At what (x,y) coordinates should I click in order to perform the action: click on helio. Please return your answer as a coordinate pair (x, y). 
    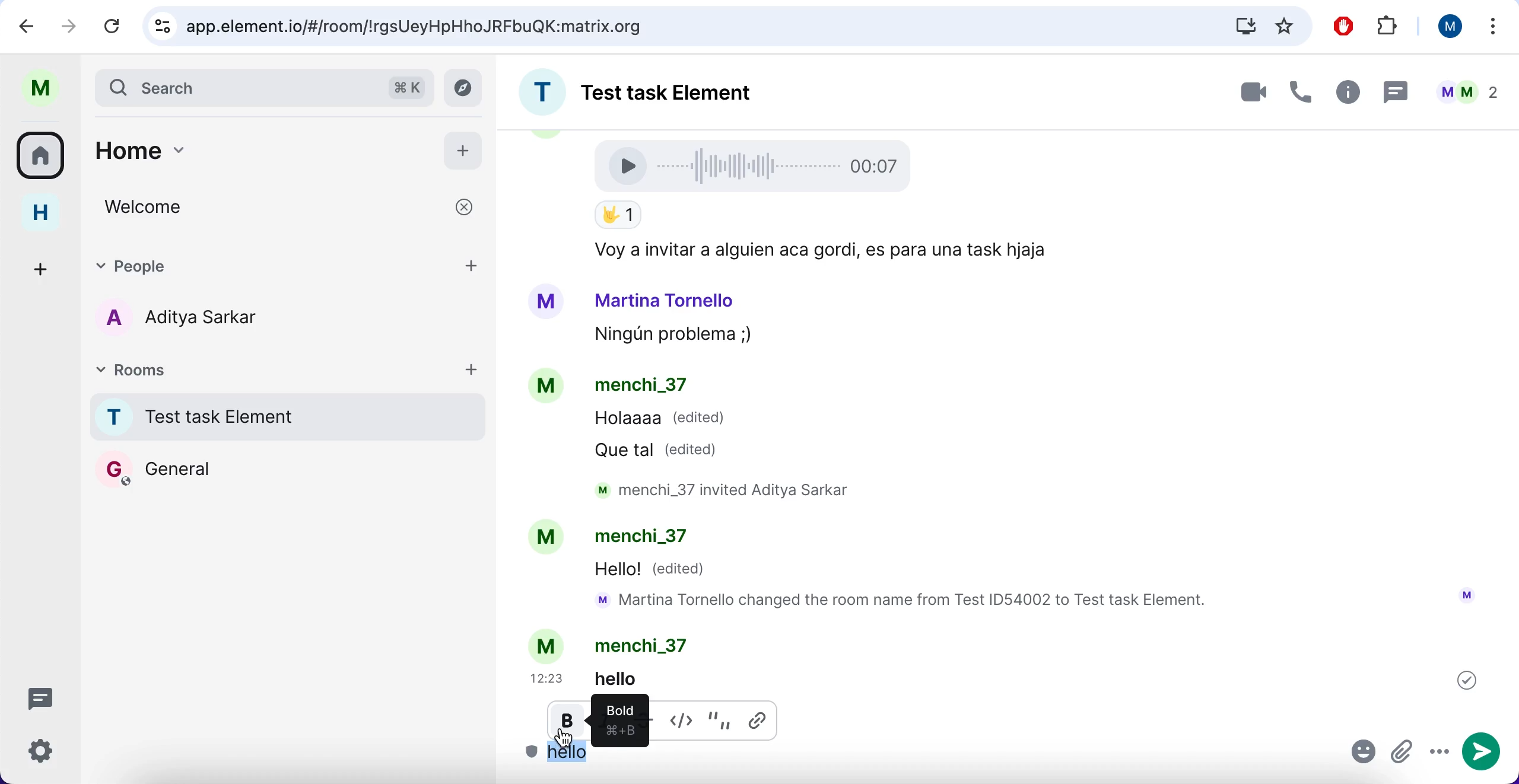
    Looking at the image, I should click on (635, 678).